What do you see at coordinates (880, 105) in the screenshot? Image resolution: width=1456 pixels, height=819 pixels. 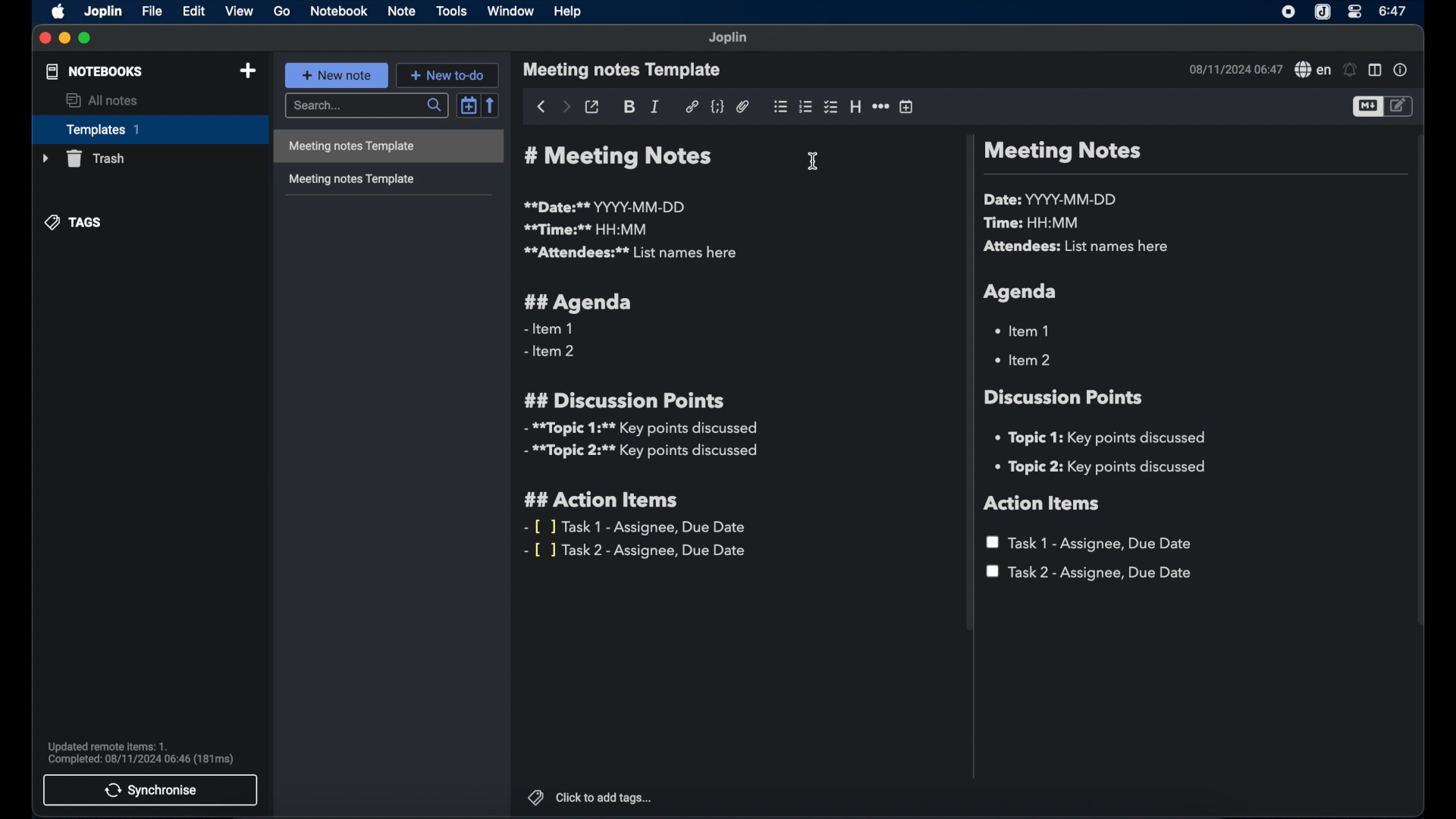 I see `horizontal rule` at bounding box center [880, 105].